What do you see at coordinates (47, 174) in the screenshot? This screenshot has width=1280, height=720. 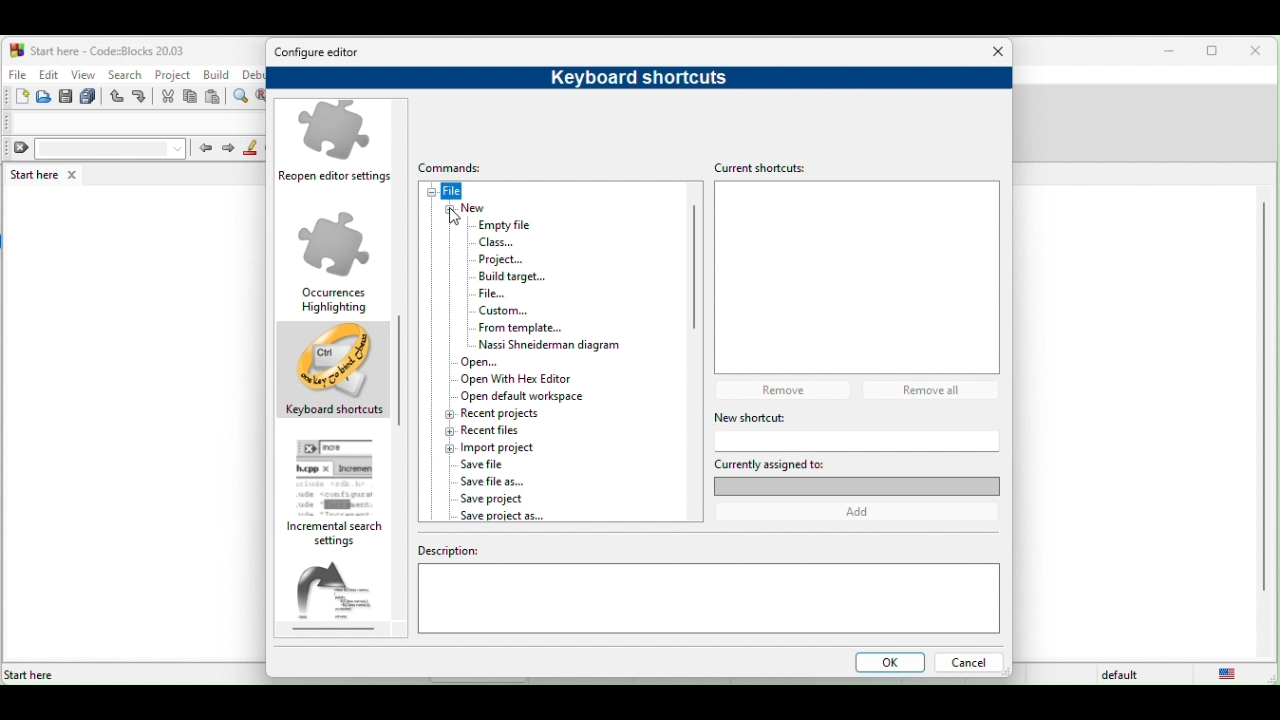 I see `start here` at bounding box center [47, 174].